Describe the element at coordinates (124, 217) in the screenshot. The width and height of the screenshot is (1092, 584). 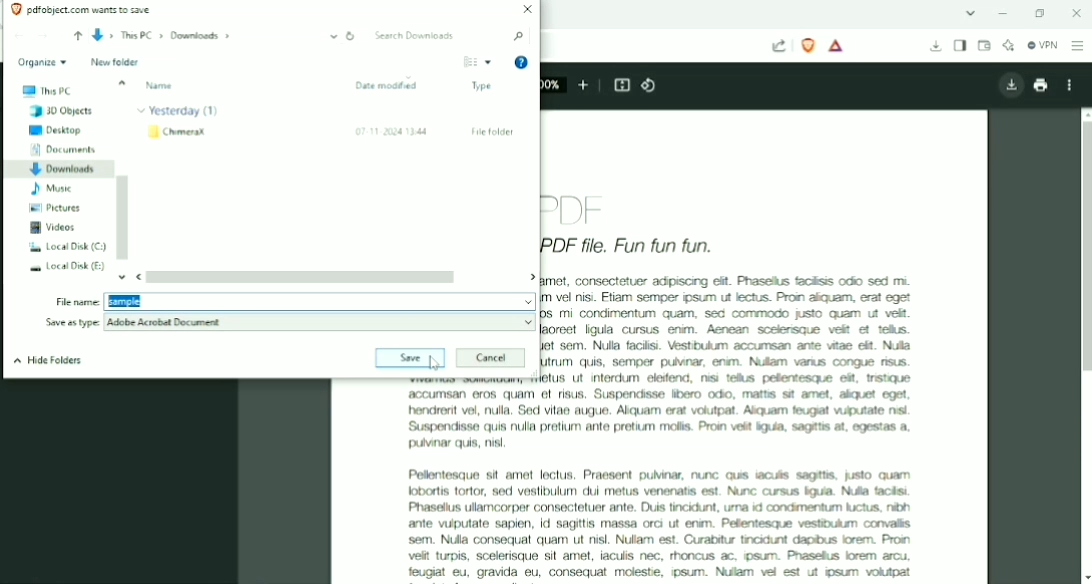
I see `Vertical scrollbar` at that location.